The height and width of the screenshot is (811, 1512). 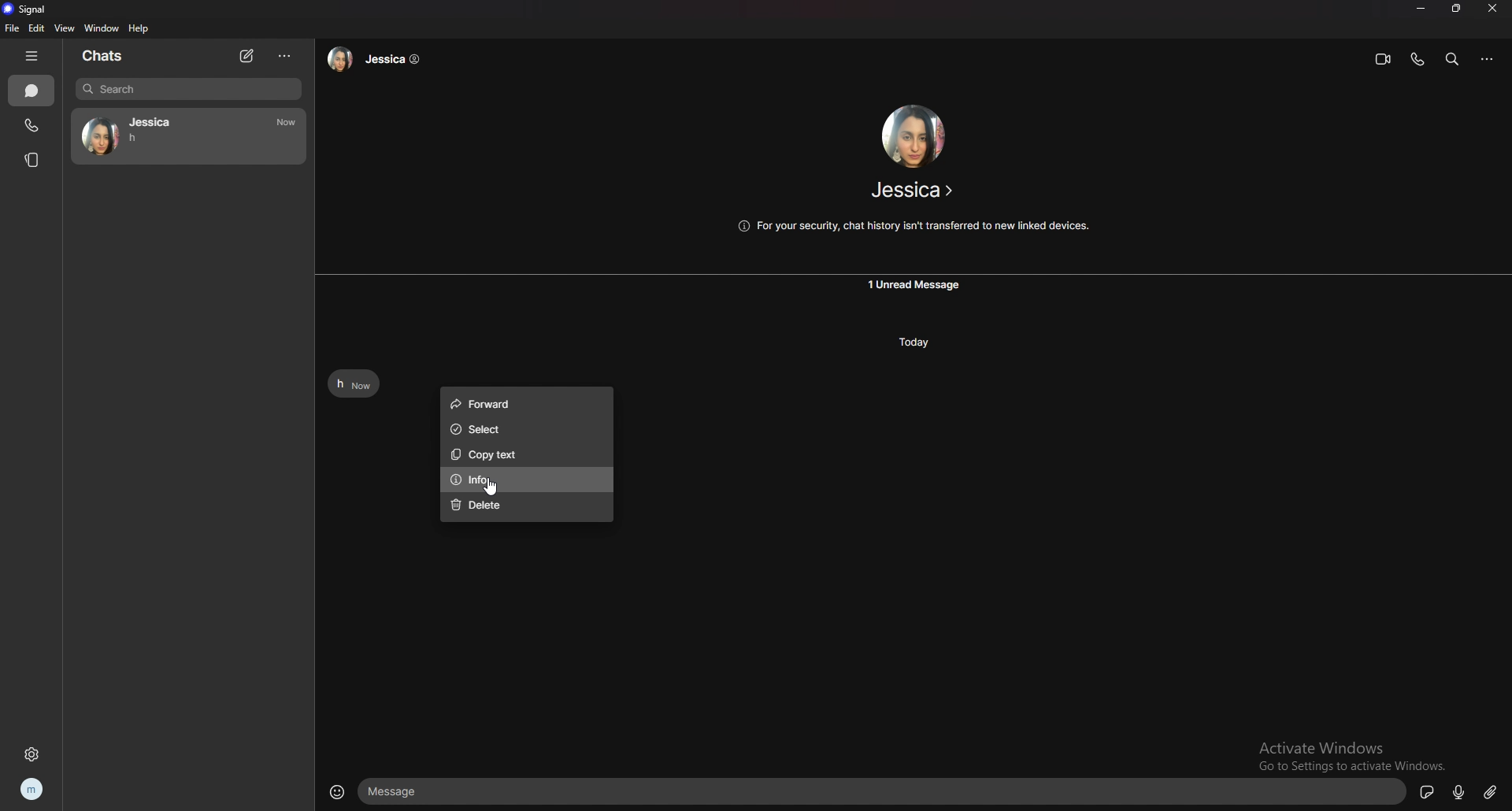 What do you see at coordinates (335, 791) in the screenshot?
I see `emoji` at bounding box center [335, 791].